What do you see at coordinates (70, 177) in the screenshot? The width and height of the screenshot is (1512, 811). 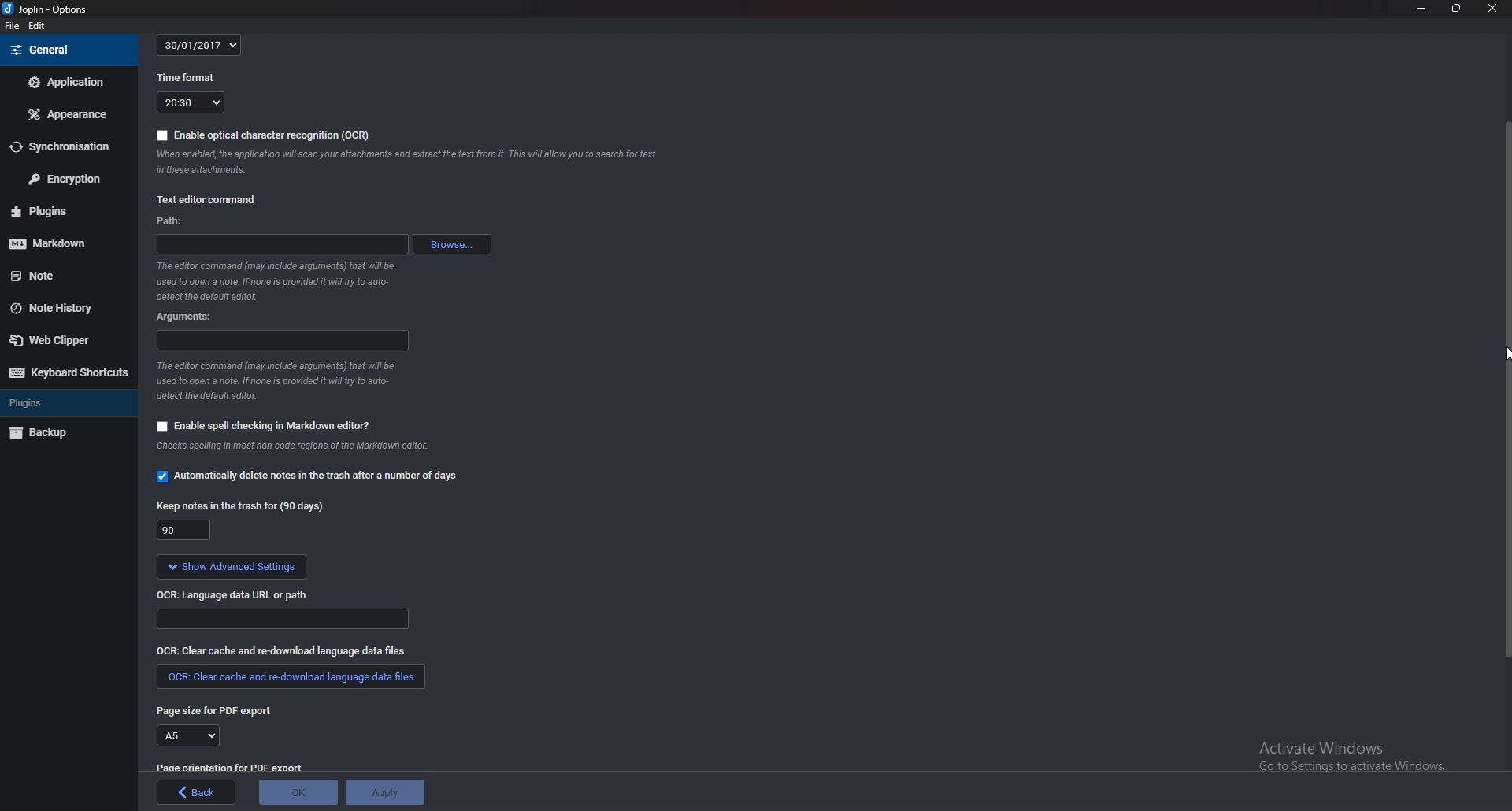 I see `Encryption` at bounding box center [70, 177].